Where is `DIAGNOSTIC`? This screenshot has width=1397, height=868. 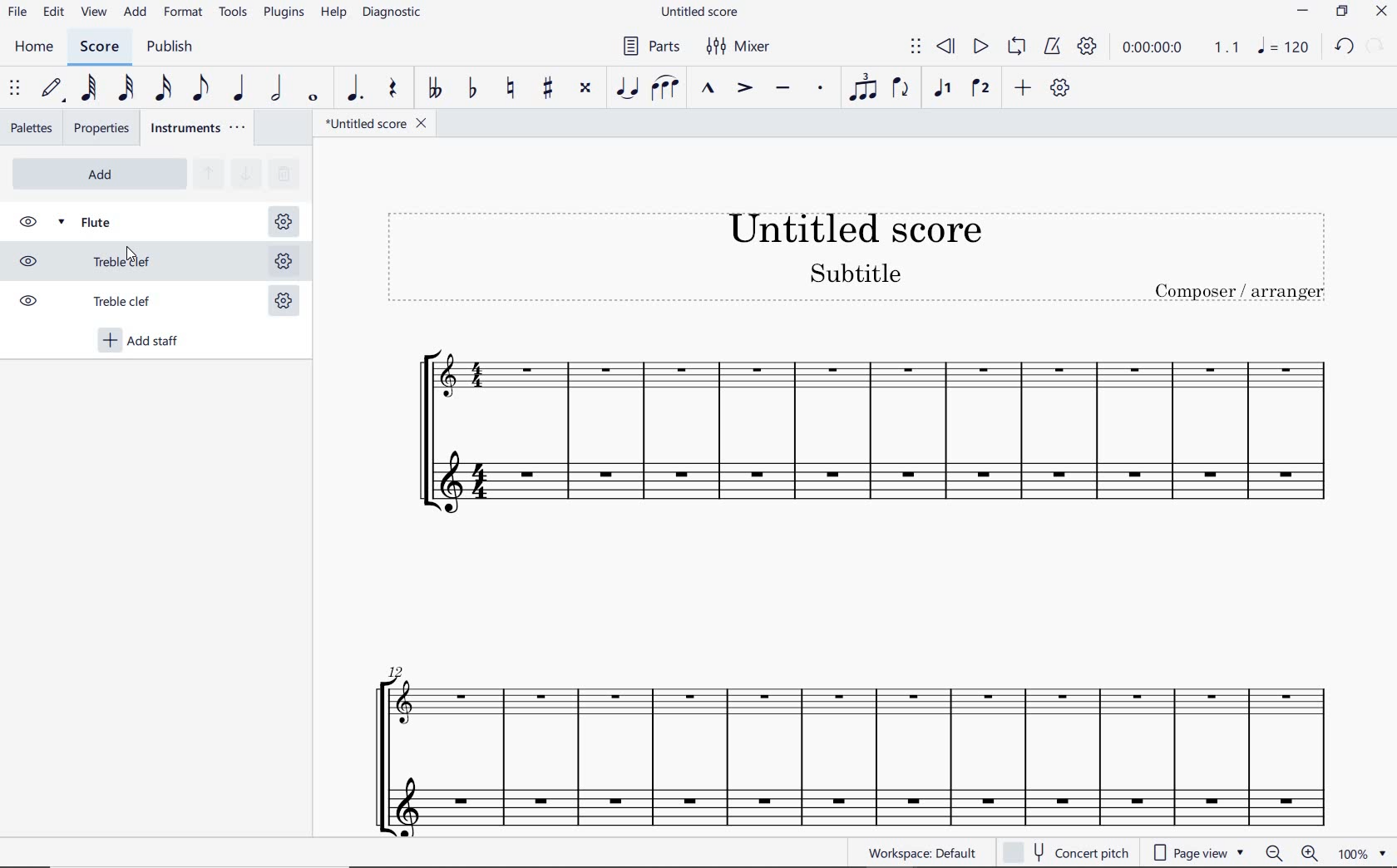 DIAGNOSTIC is located at coordinates (393, 13).